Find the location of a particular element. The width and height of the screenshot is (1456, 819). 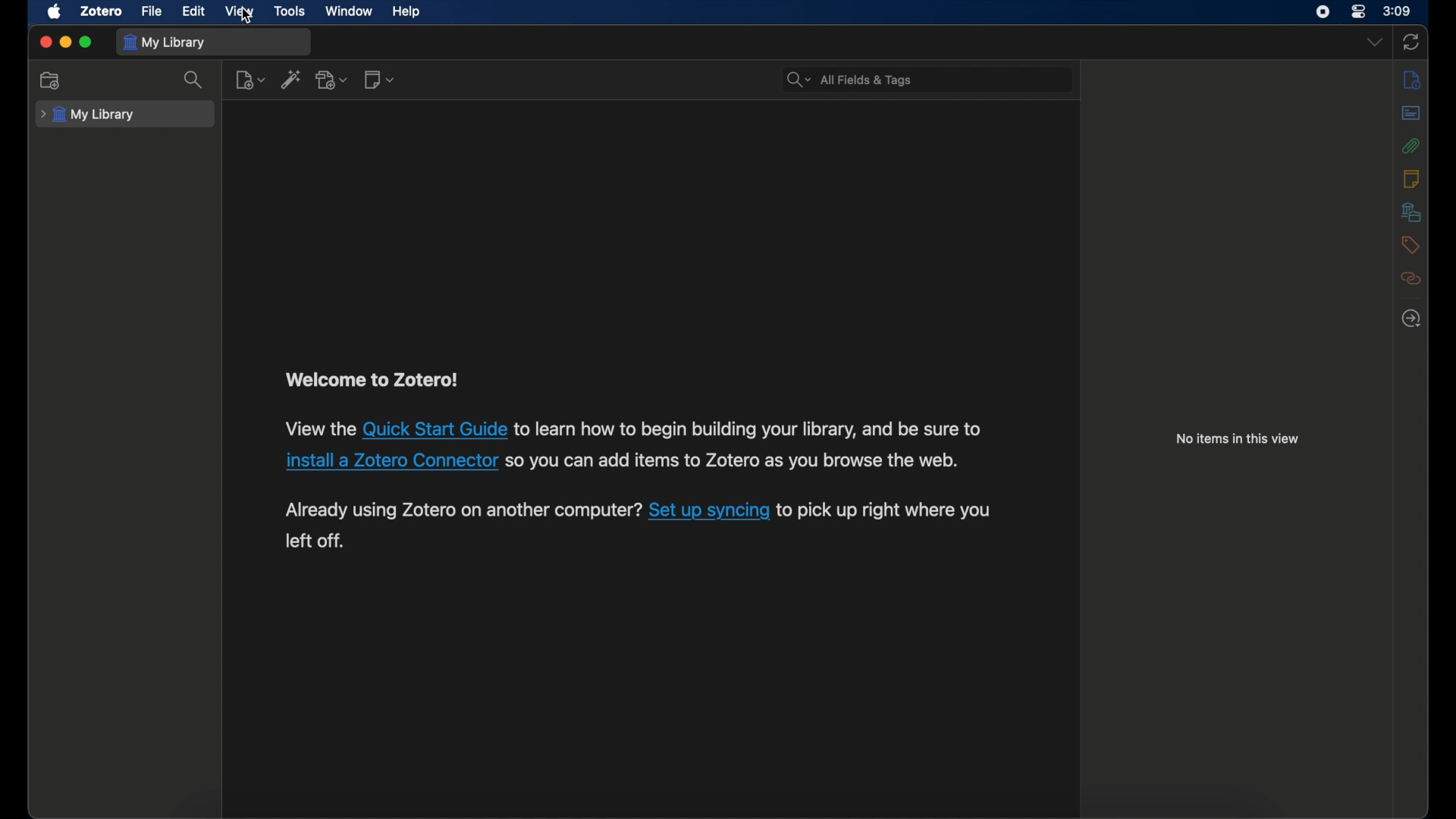

tags is located at coordinates (1410, 244).